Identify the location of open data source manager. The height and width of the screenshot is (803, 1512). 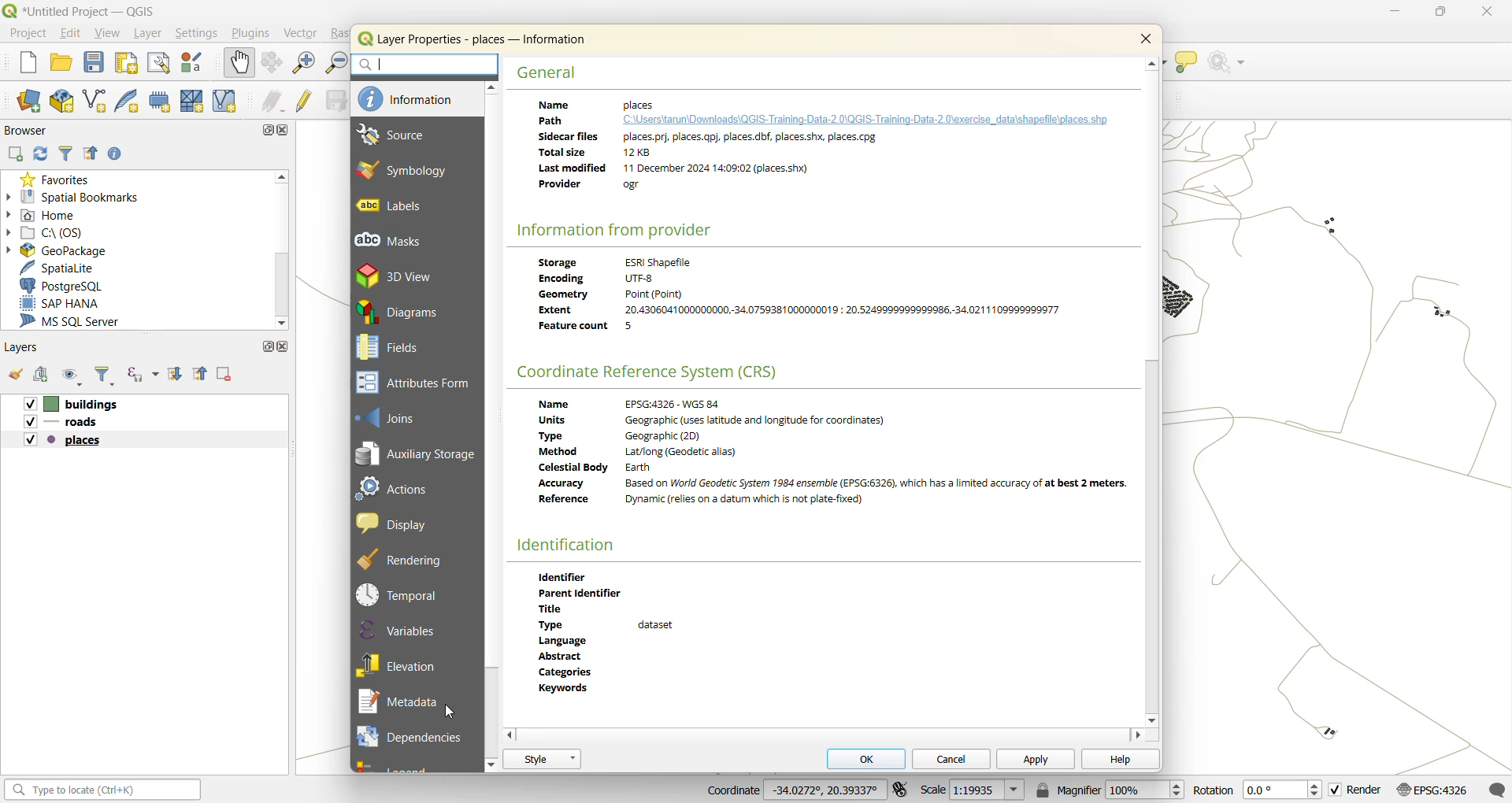
(33, 101).